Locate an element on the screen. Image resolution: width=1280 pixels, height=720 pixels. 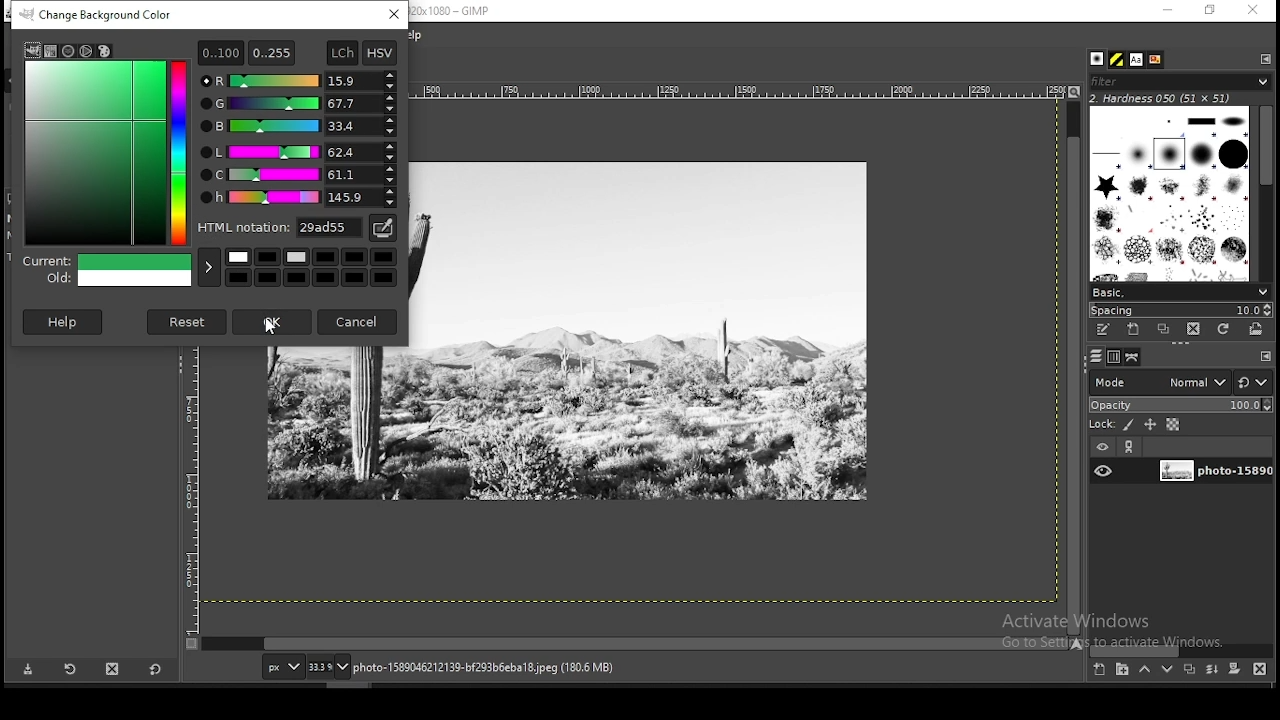
new layer is located at coordinates (1101, 671).